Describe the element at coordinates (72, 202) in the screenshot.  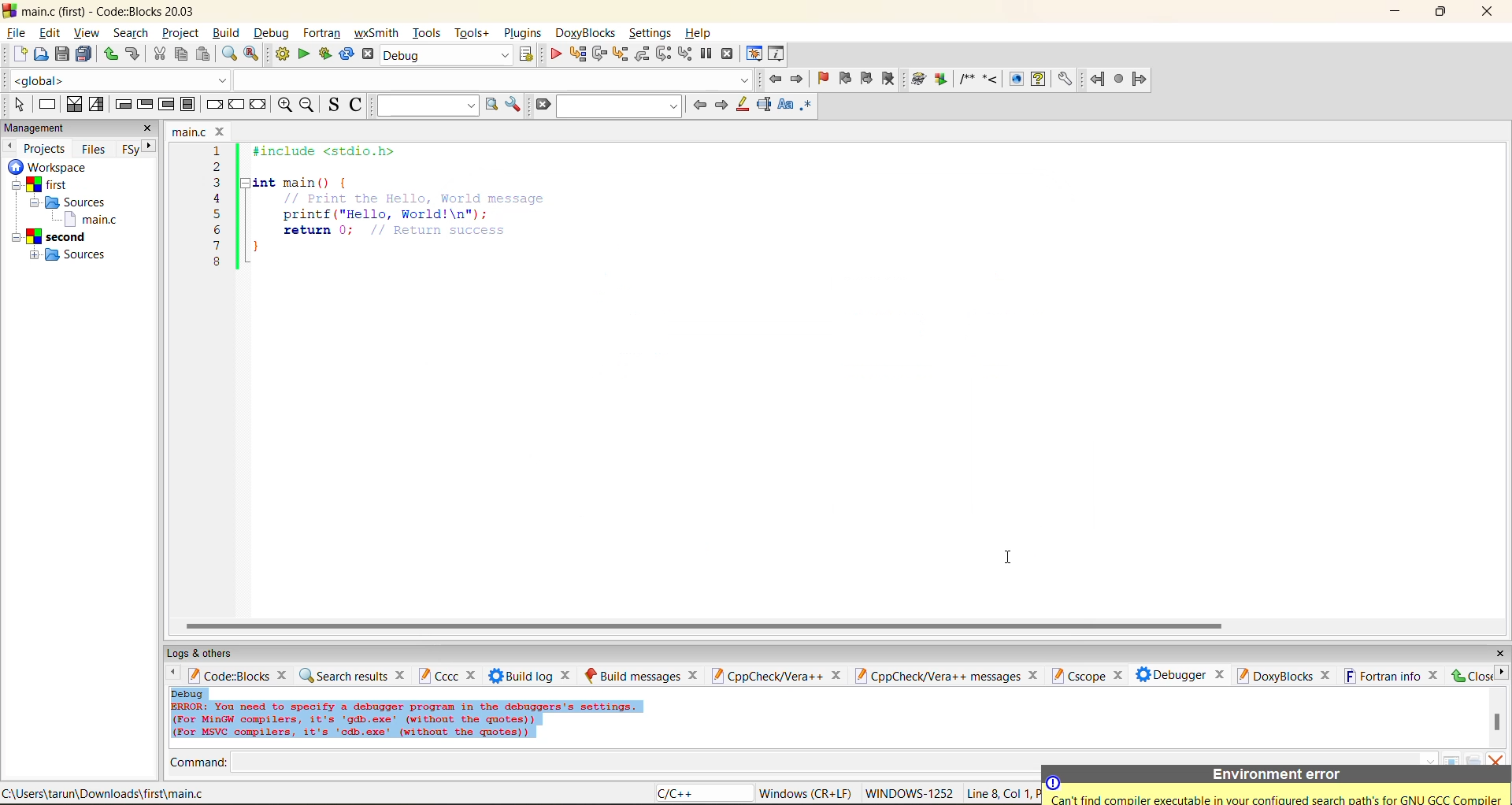
I see `Sources` at that location.